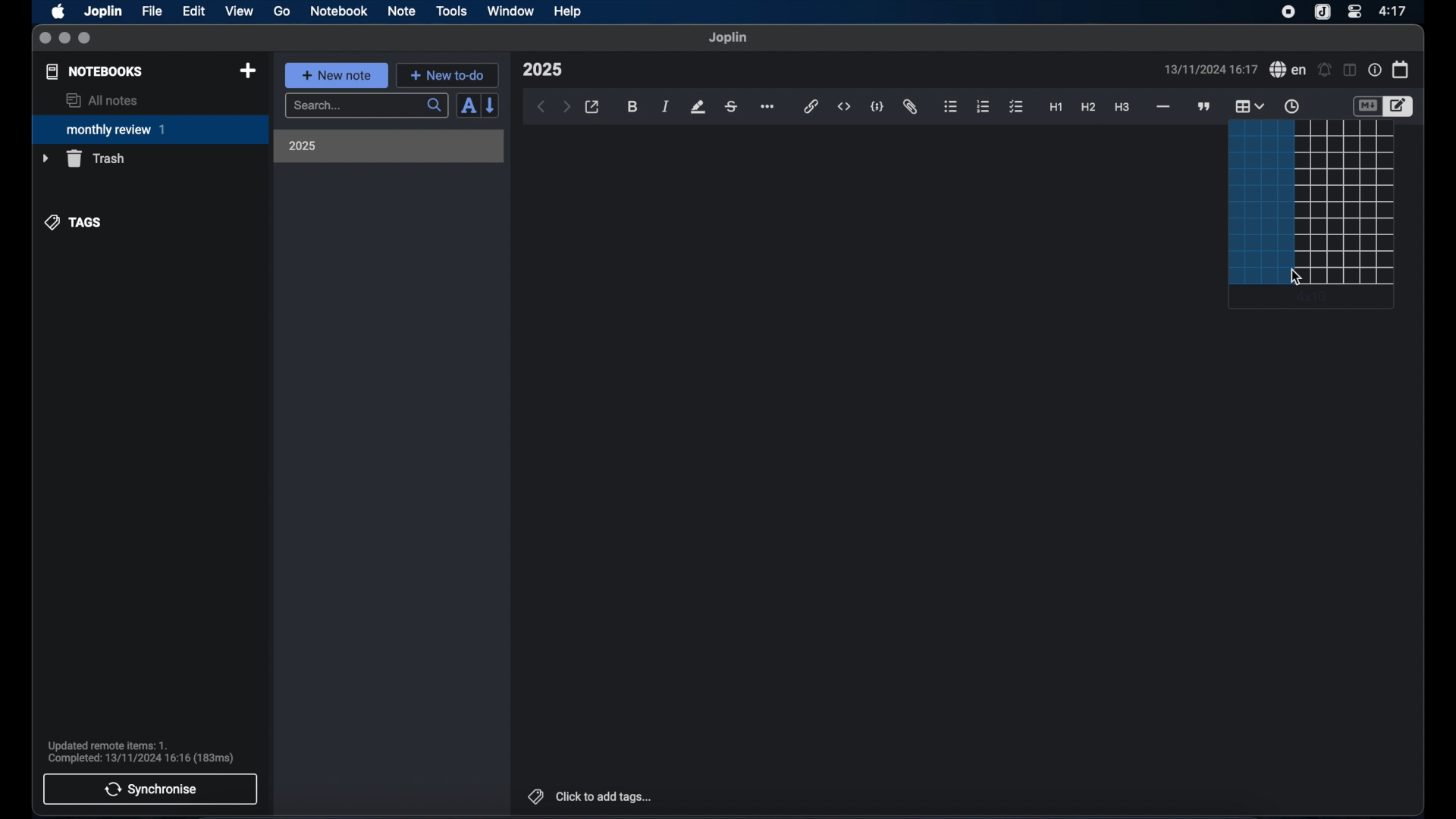 This screenshot has width=1456, height=819. I want to click on toggle editor, so click(1367, 107).